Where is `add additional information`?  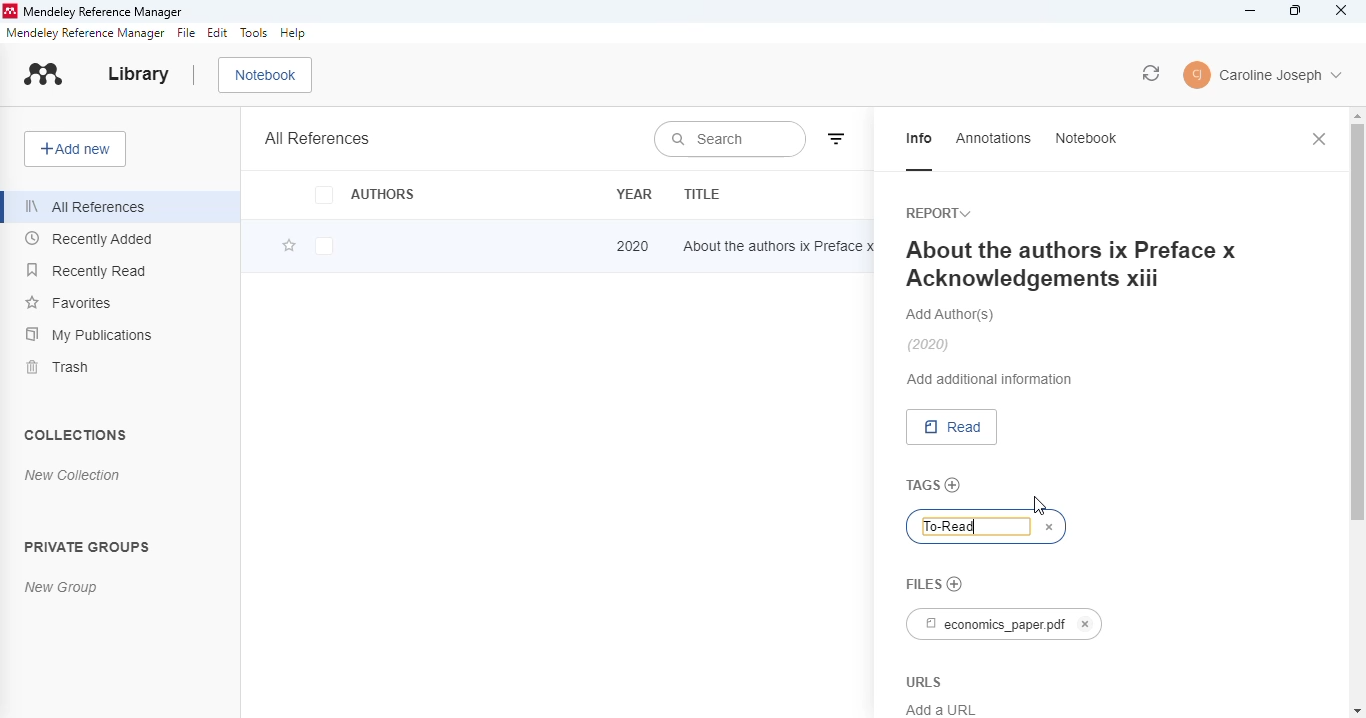
add additional information is located at coordinates (991, 379).